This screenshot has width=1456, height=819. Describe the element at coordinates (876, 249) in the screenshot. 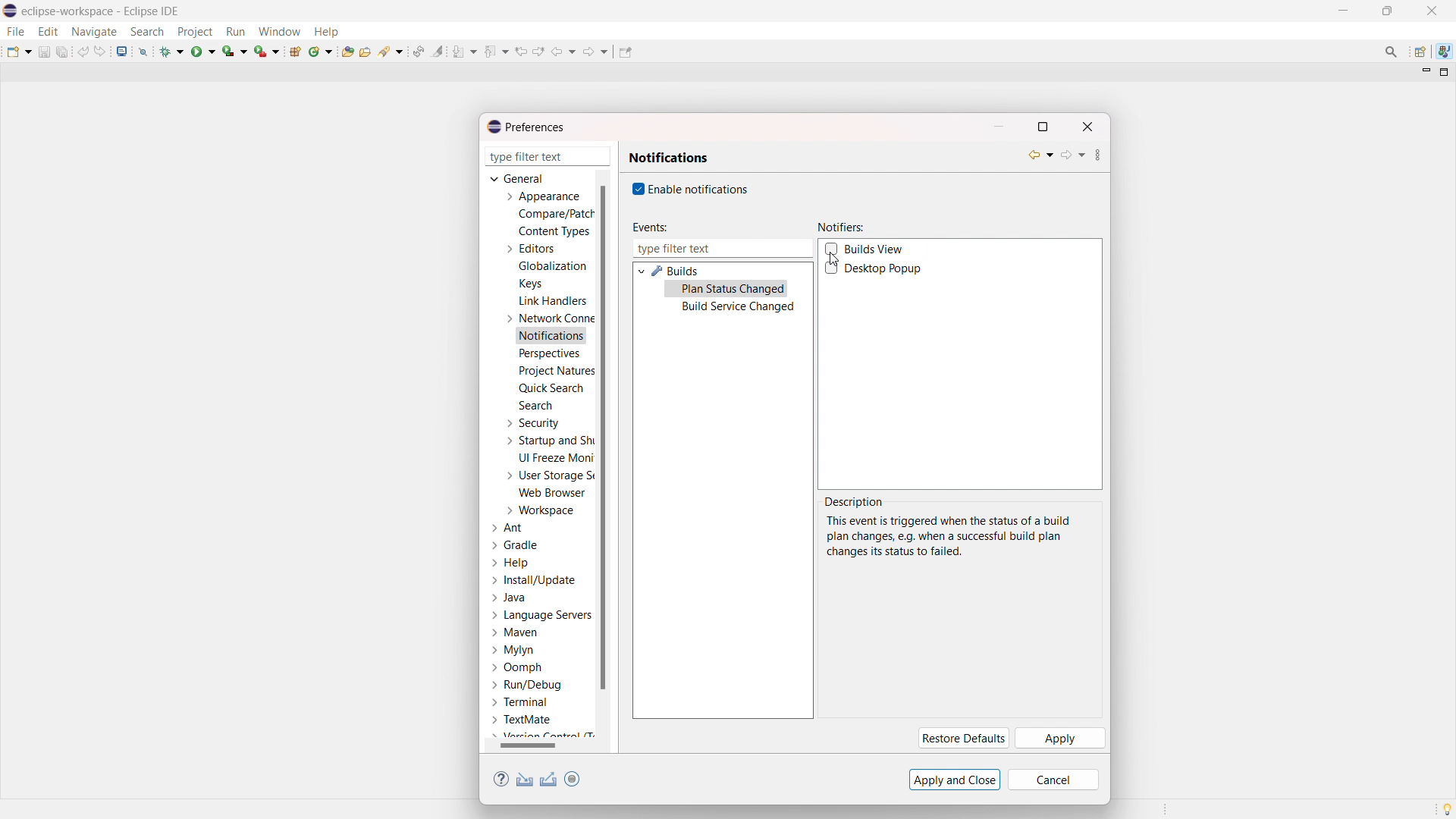

I see `builds view checkbox` at that location.